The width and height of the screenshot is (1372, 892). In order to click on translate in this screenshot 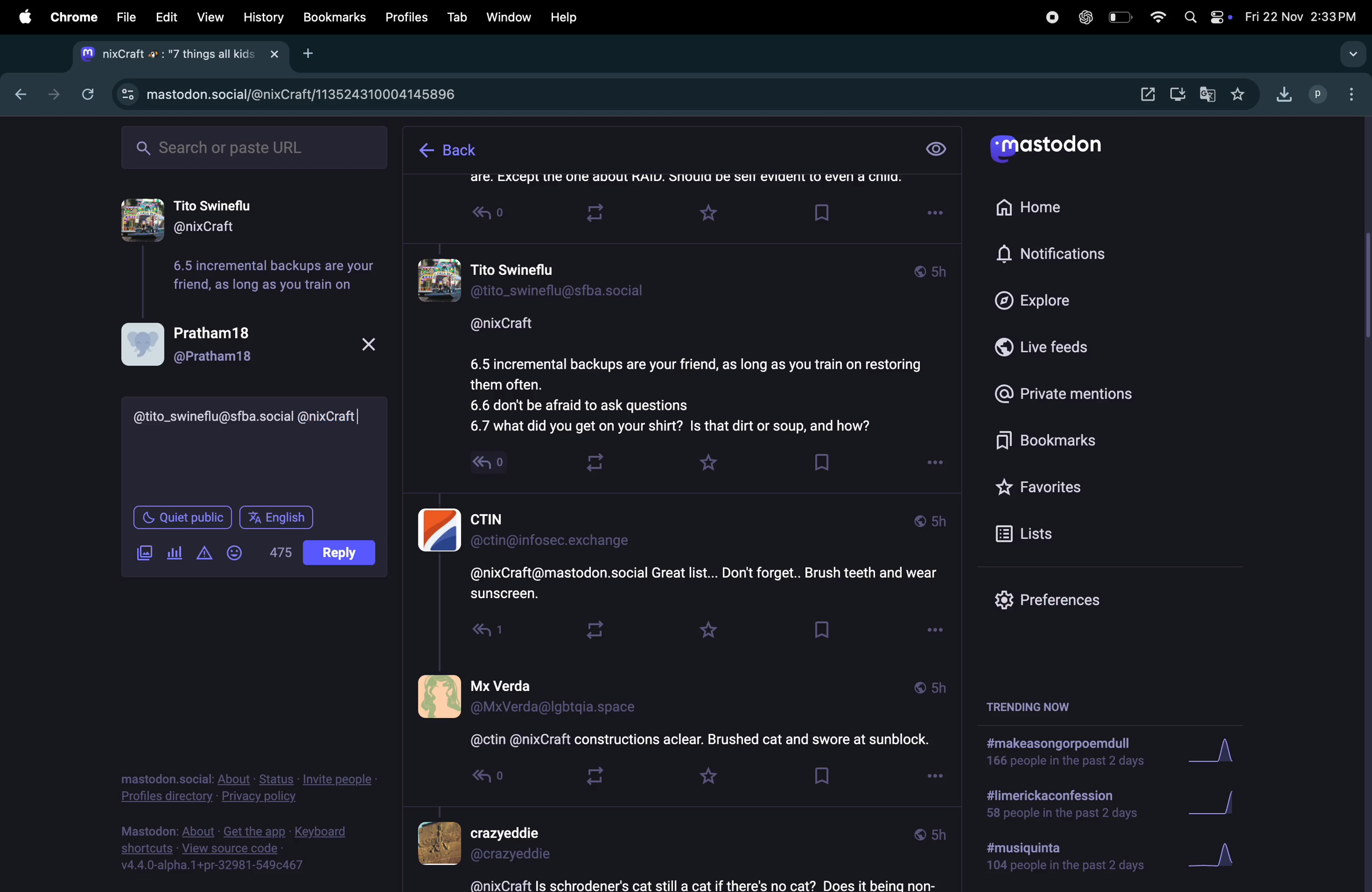, I will do `click(1211, 96)`.